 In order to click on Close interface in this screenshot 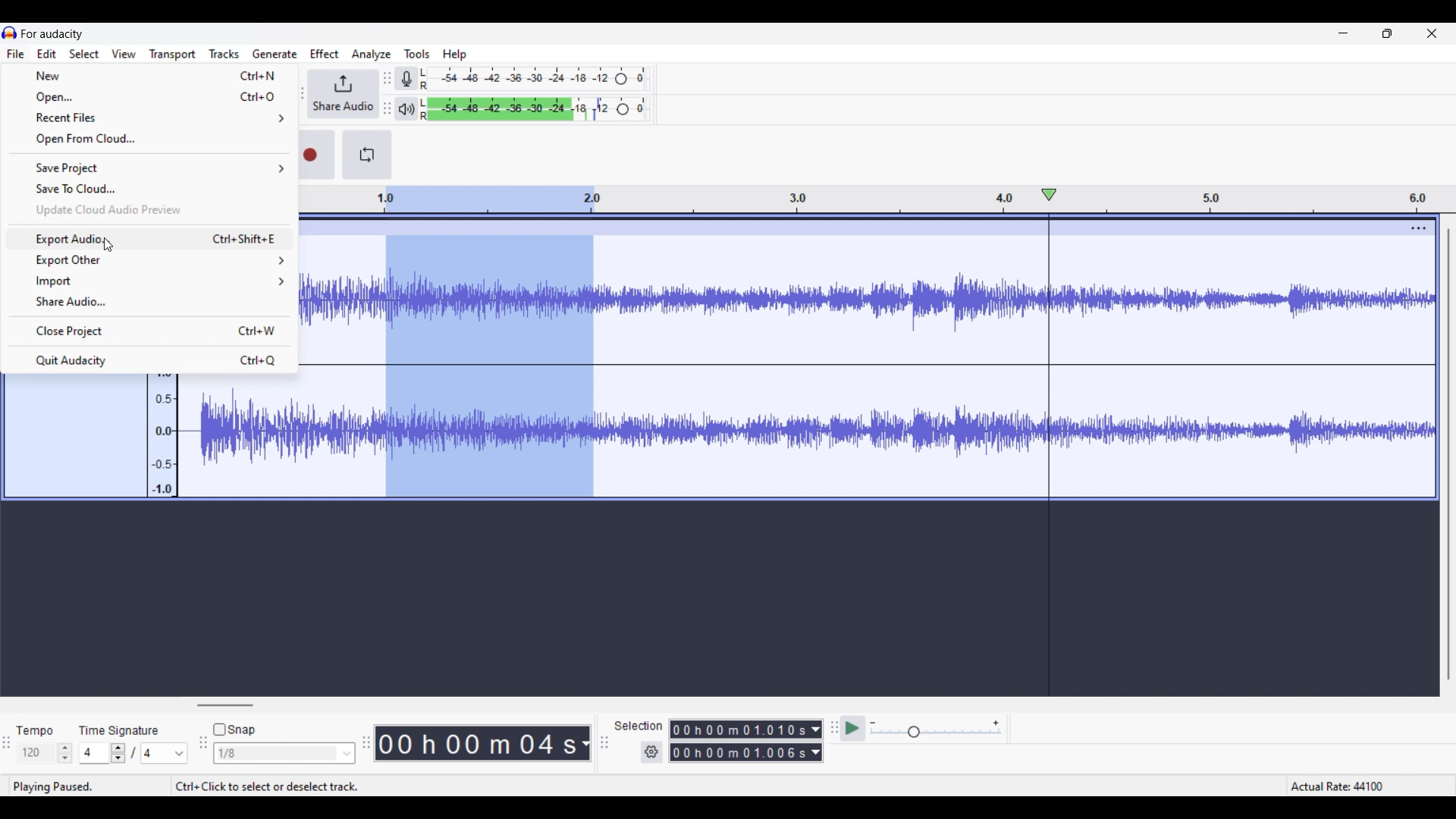, I will do `click(1432, 33)`.